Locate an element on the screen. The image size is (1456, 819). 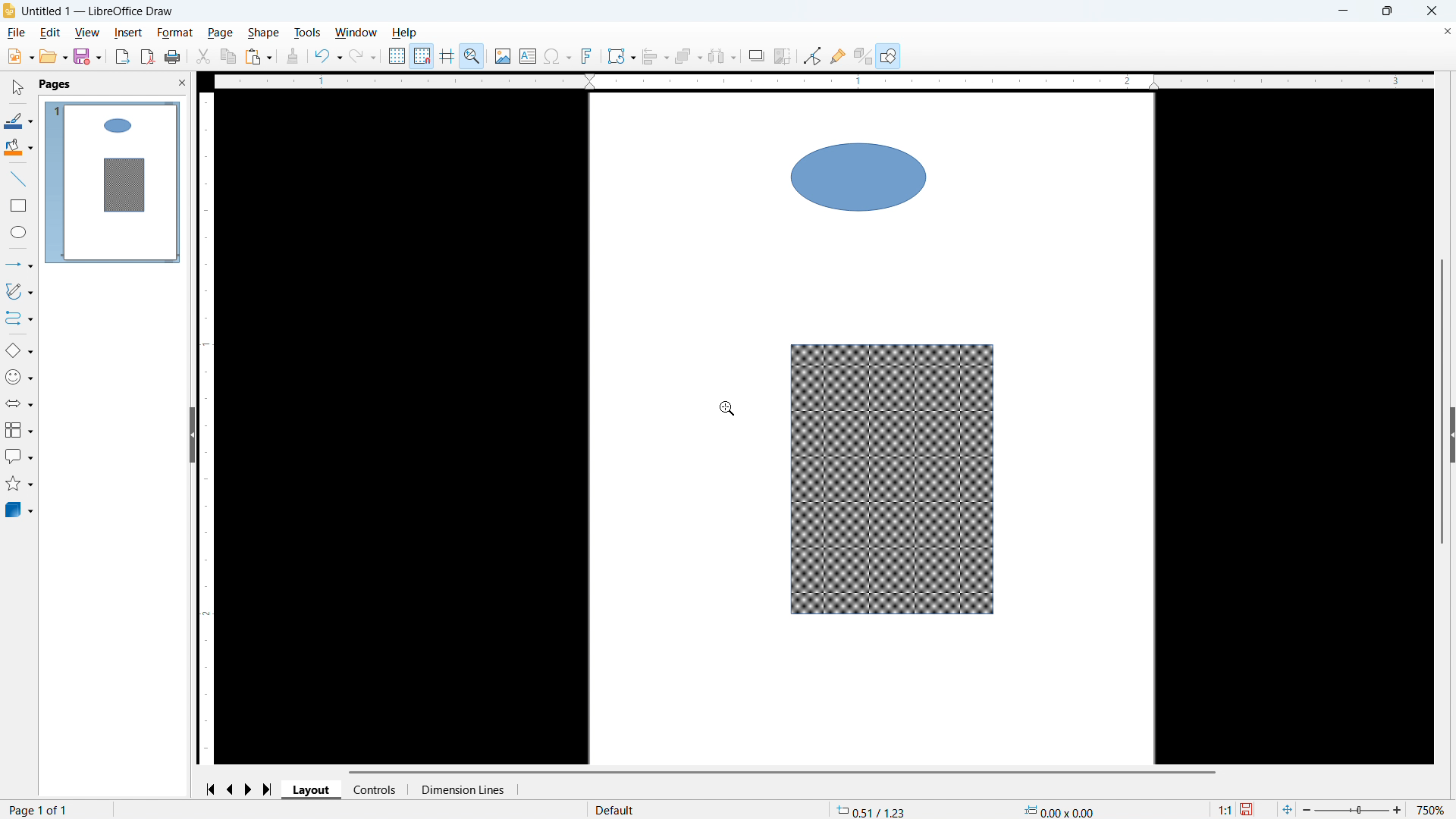
Zoom level updated  is located at coordinates (1433, 809).